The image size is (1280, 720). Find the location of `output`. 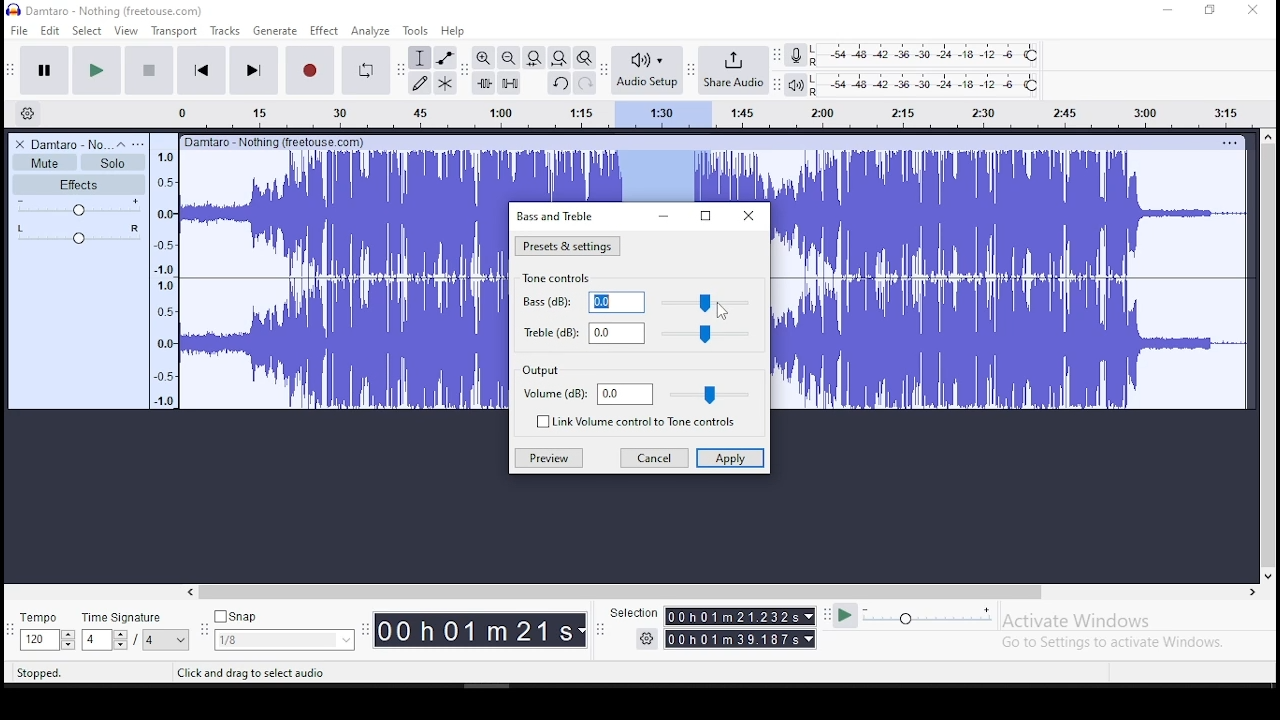

output is located at coordinates (541, 372).